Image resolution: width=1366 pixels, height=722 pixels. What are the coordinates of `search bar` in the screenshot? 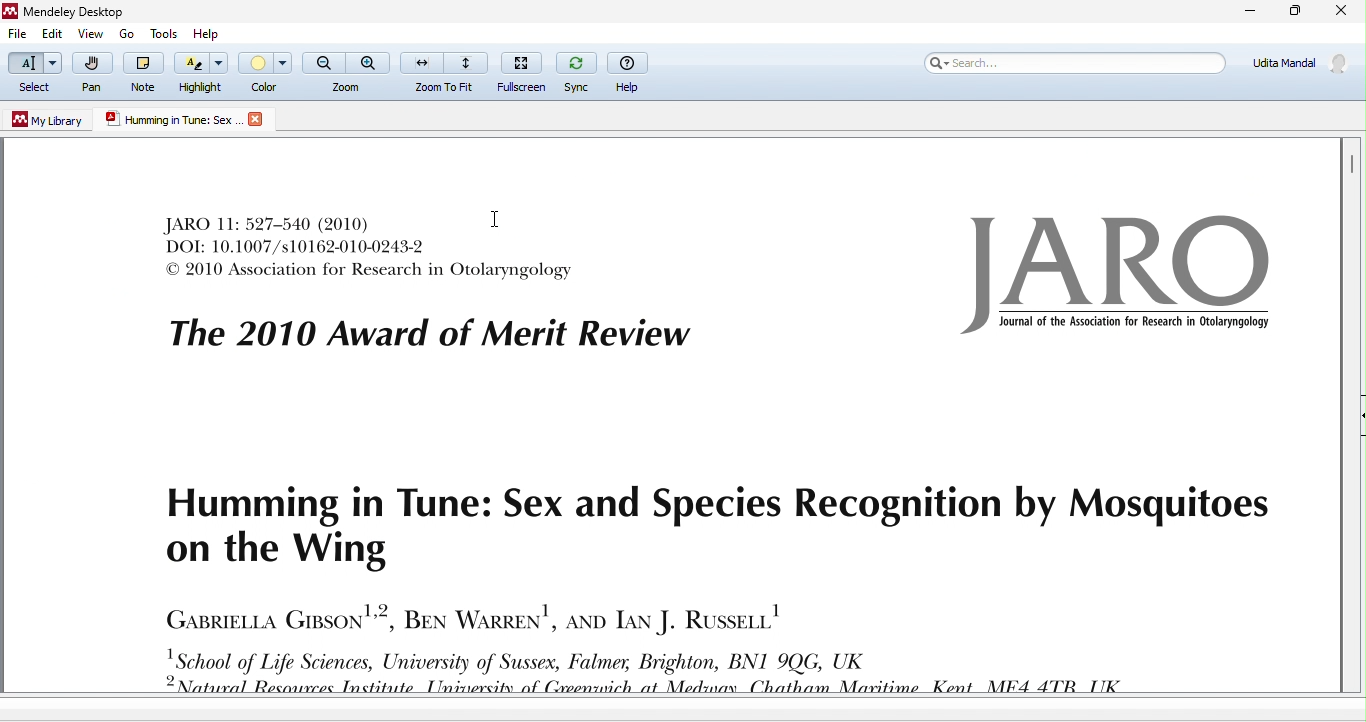 It's located at (1076, 65).